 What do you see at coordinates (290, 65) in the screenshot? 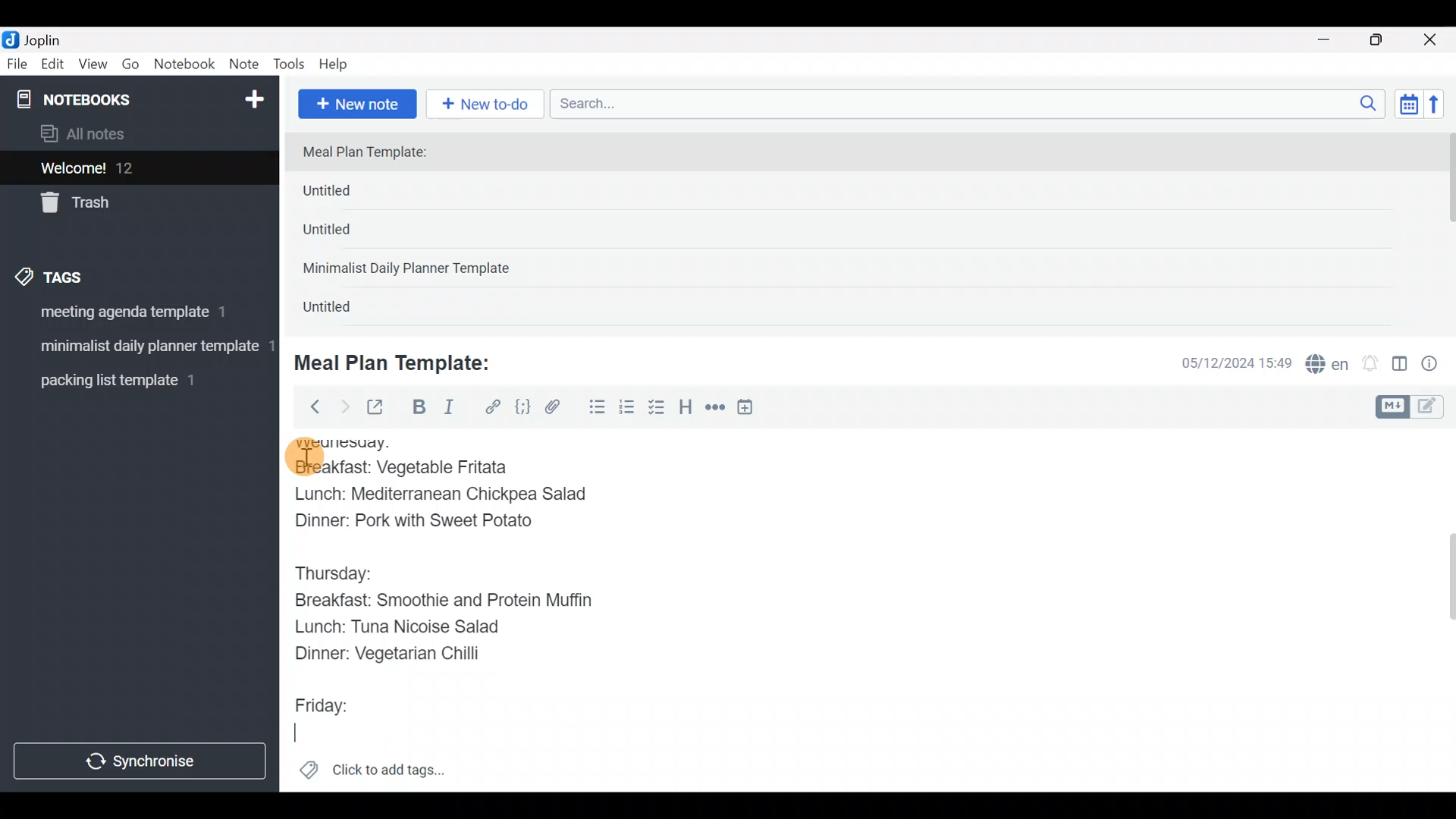
I see `Tools` at bounding box center [290, 65].